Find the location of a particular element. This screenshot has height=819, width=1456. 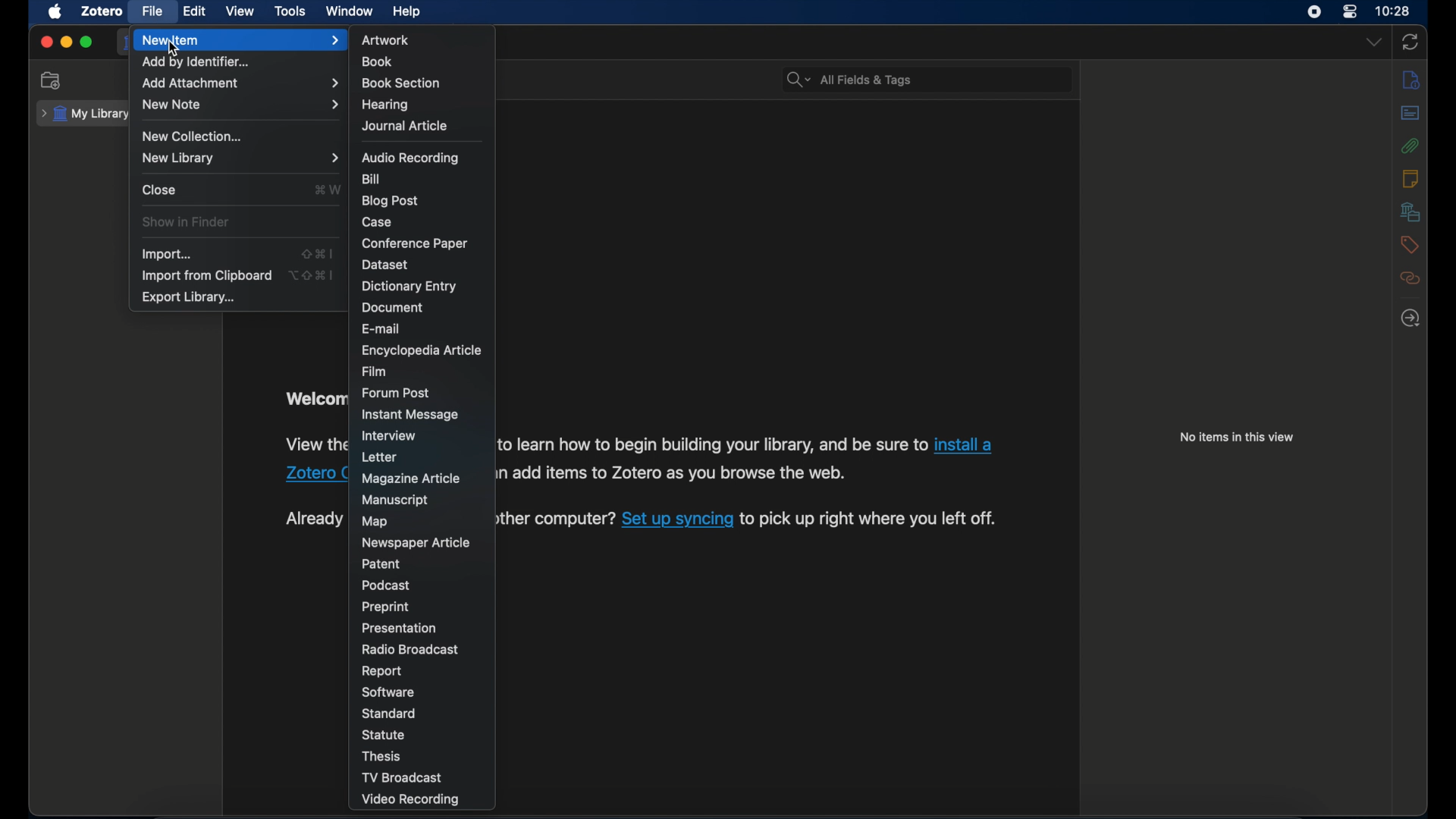

zotero is located at coordinates (102, 11).